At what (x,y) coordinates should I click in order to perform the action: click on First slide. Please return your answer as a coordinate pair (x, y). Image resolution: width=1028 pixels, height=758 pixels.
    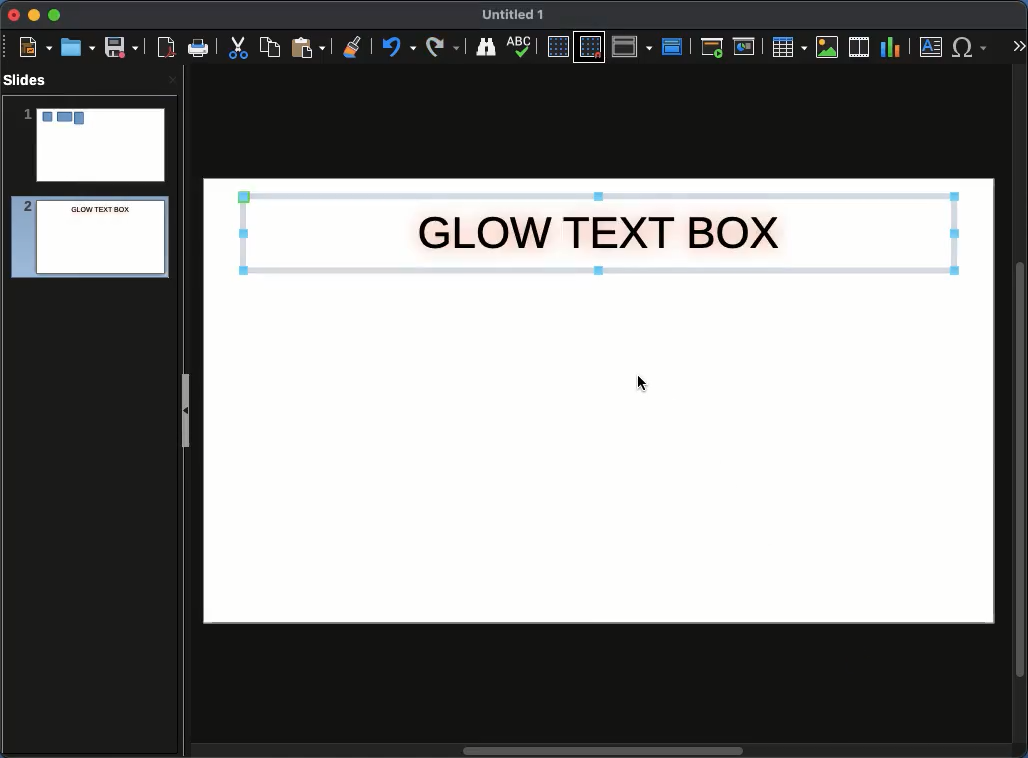
    Looking at the image, I should click on (712, 47).